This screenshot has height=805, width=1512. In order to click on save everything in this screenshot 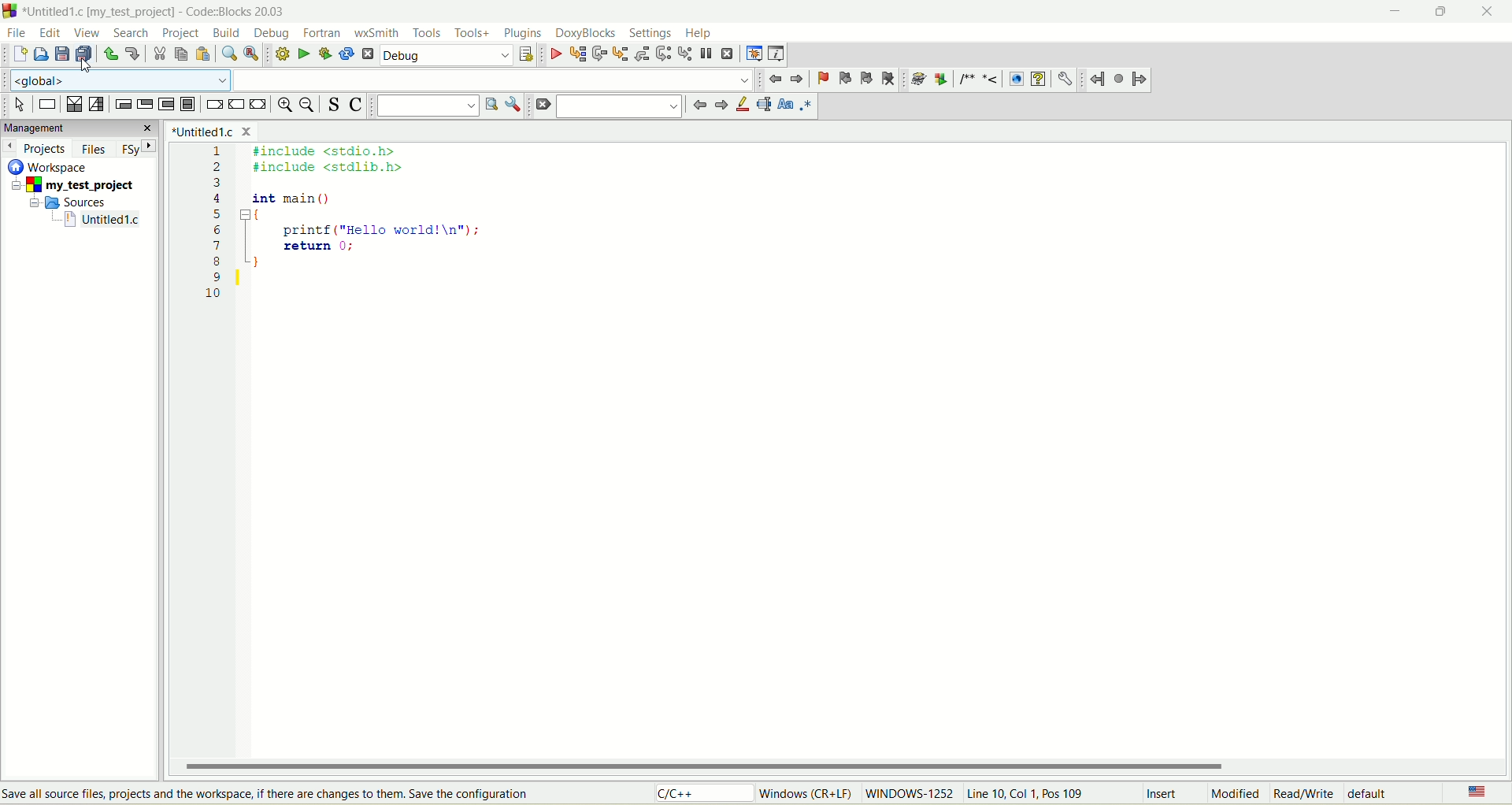, I will do `click(86, 55)`.